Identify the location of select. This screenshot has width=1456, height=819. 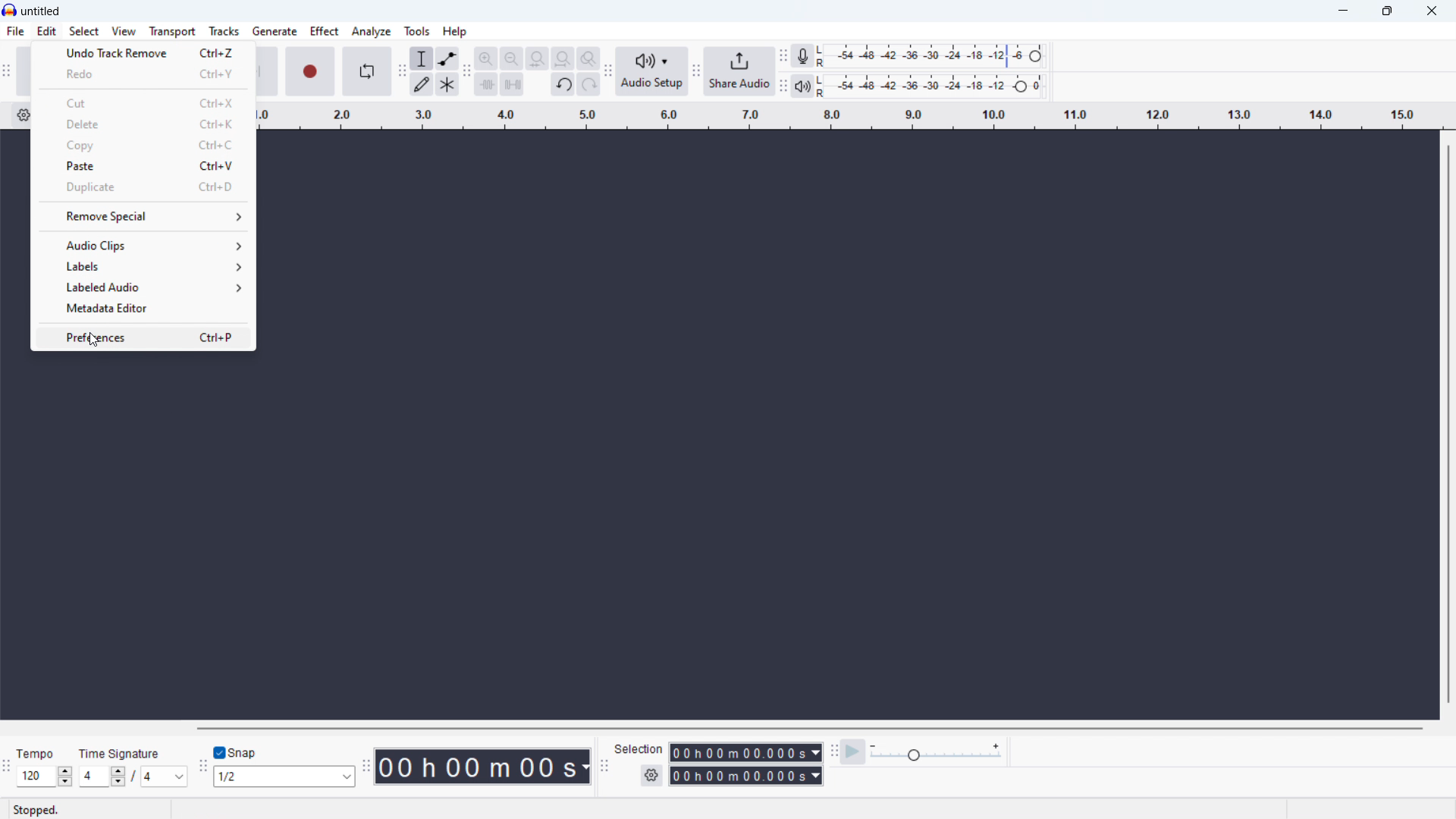
(83, 31).